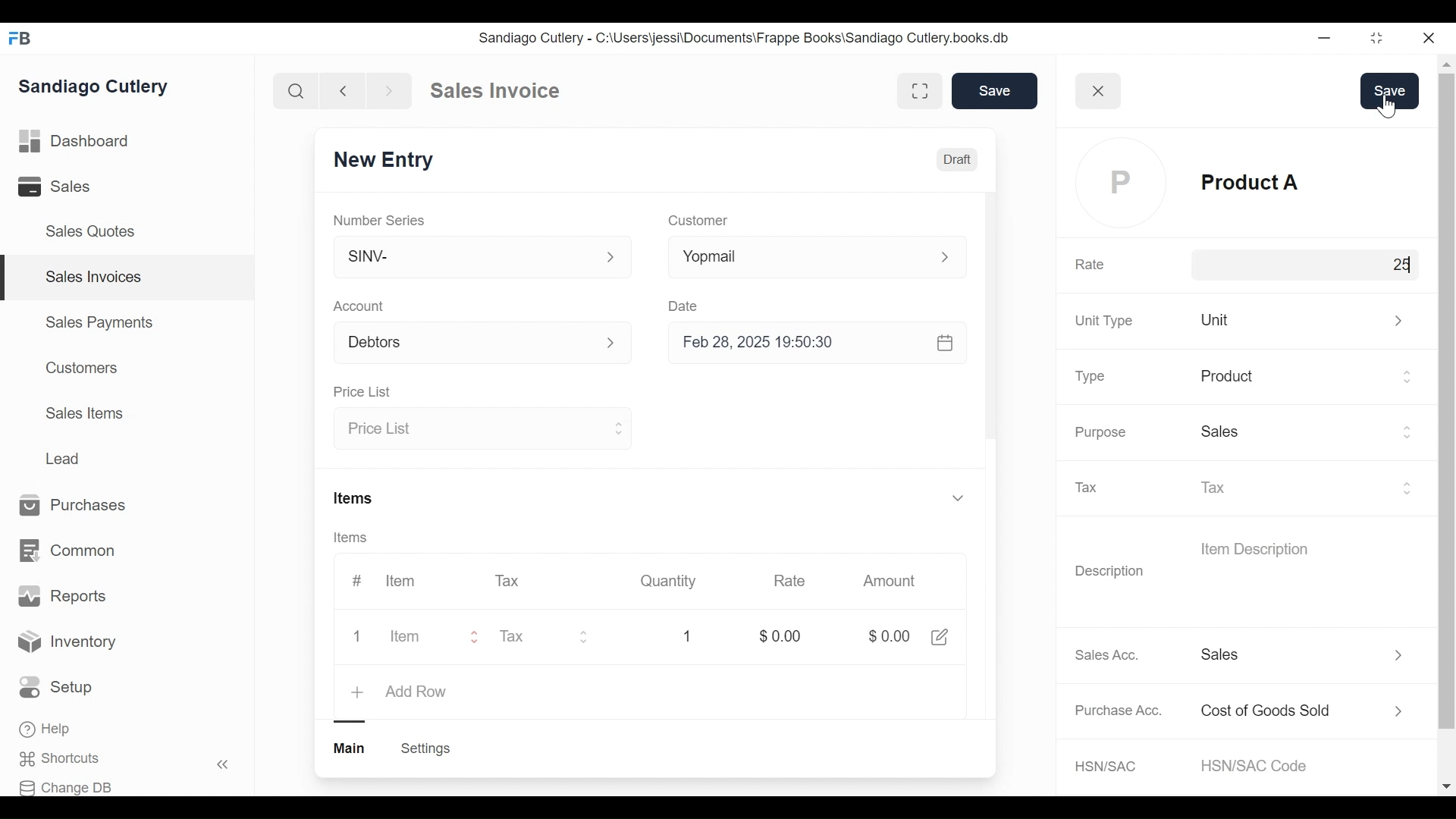 Image resolution: width=1456 pixels, height=819 pixels. What do you see at coordinates (1090, 265) in the screenshot?
I see `Rate` at bounding box center [1090, 265].